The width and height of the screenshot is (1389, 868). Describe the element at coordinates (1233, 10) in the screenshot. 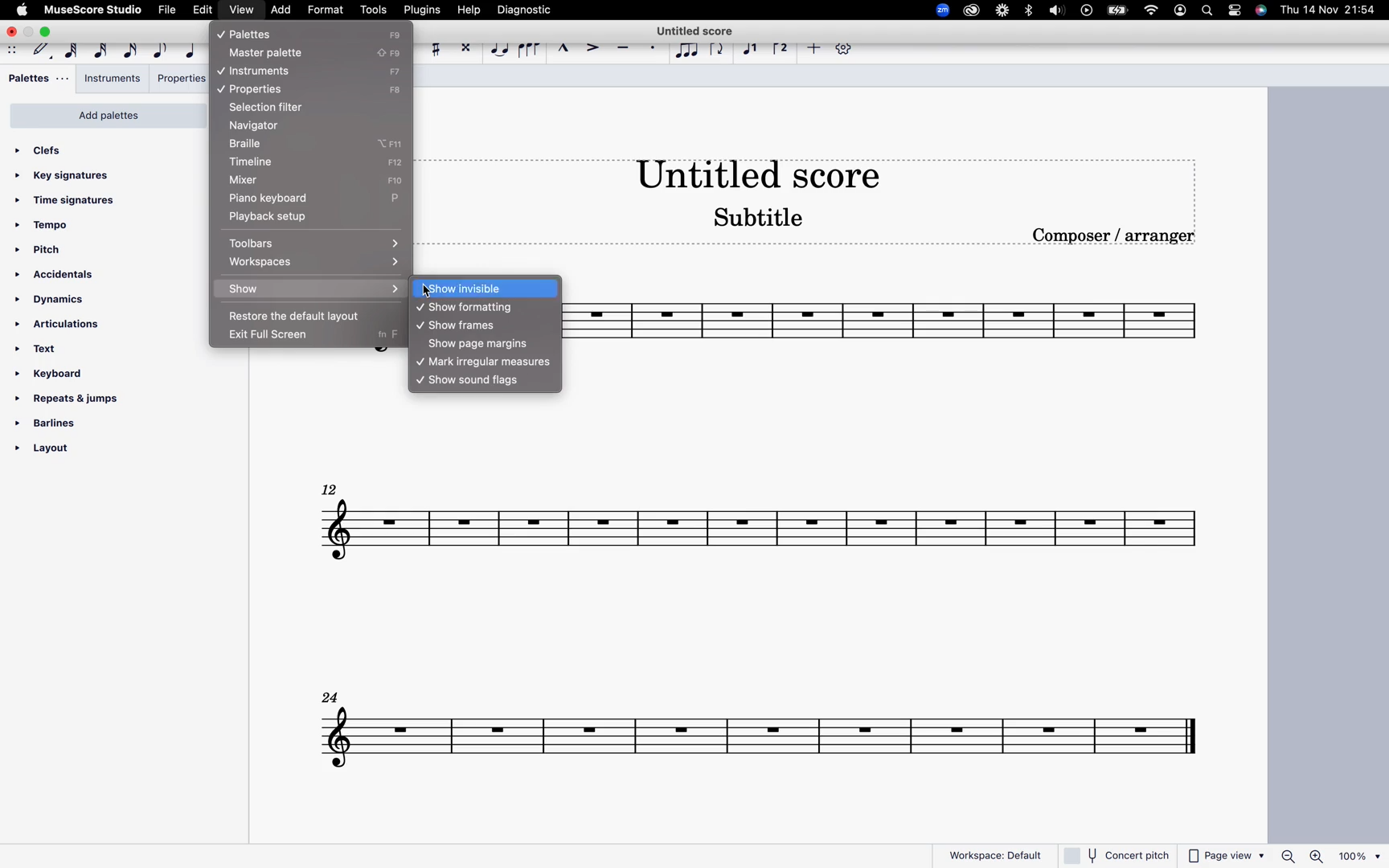

I see `settings` at that location.